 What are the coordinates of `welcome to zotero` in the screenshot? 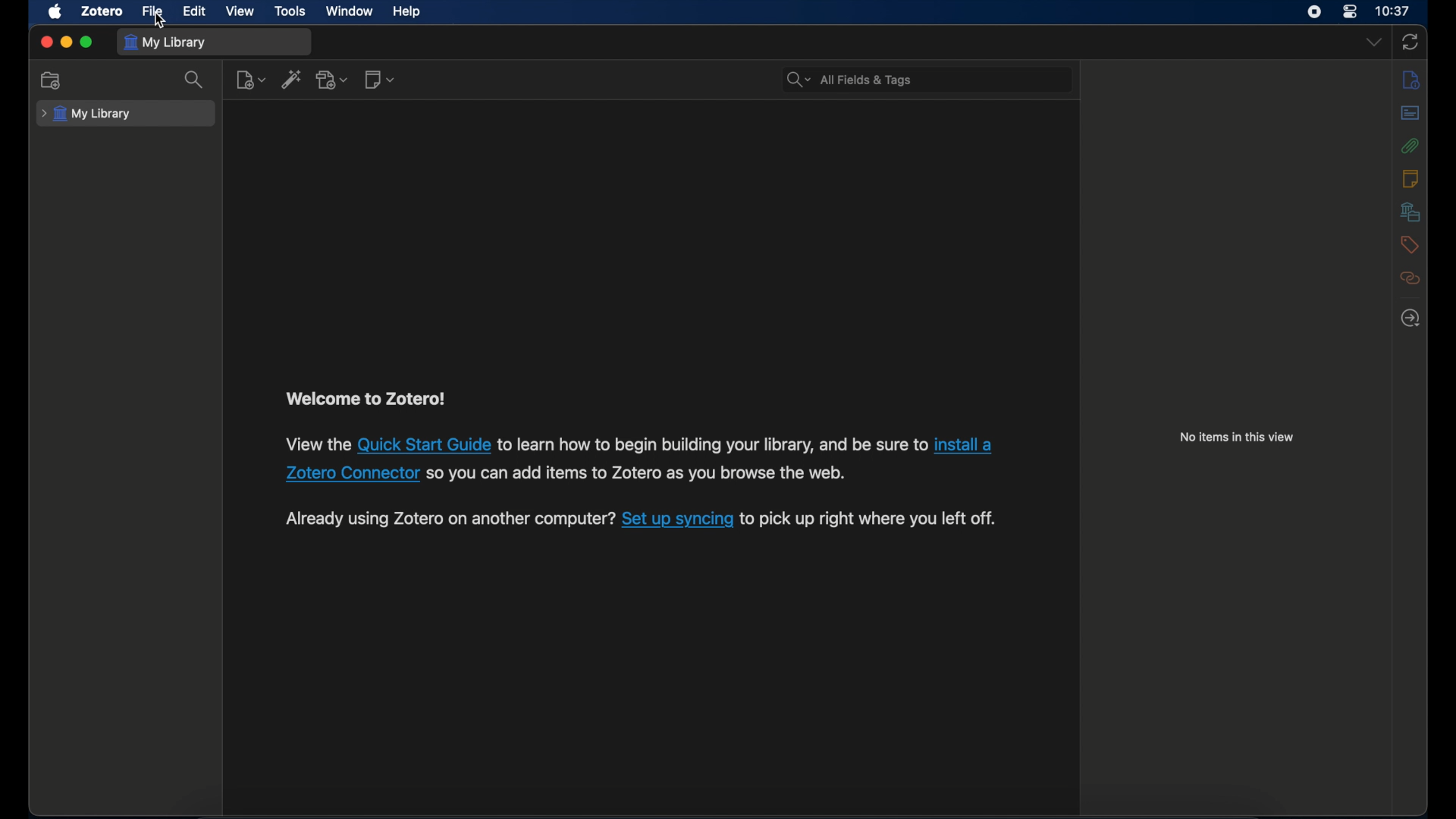 It's located at (365, 399).